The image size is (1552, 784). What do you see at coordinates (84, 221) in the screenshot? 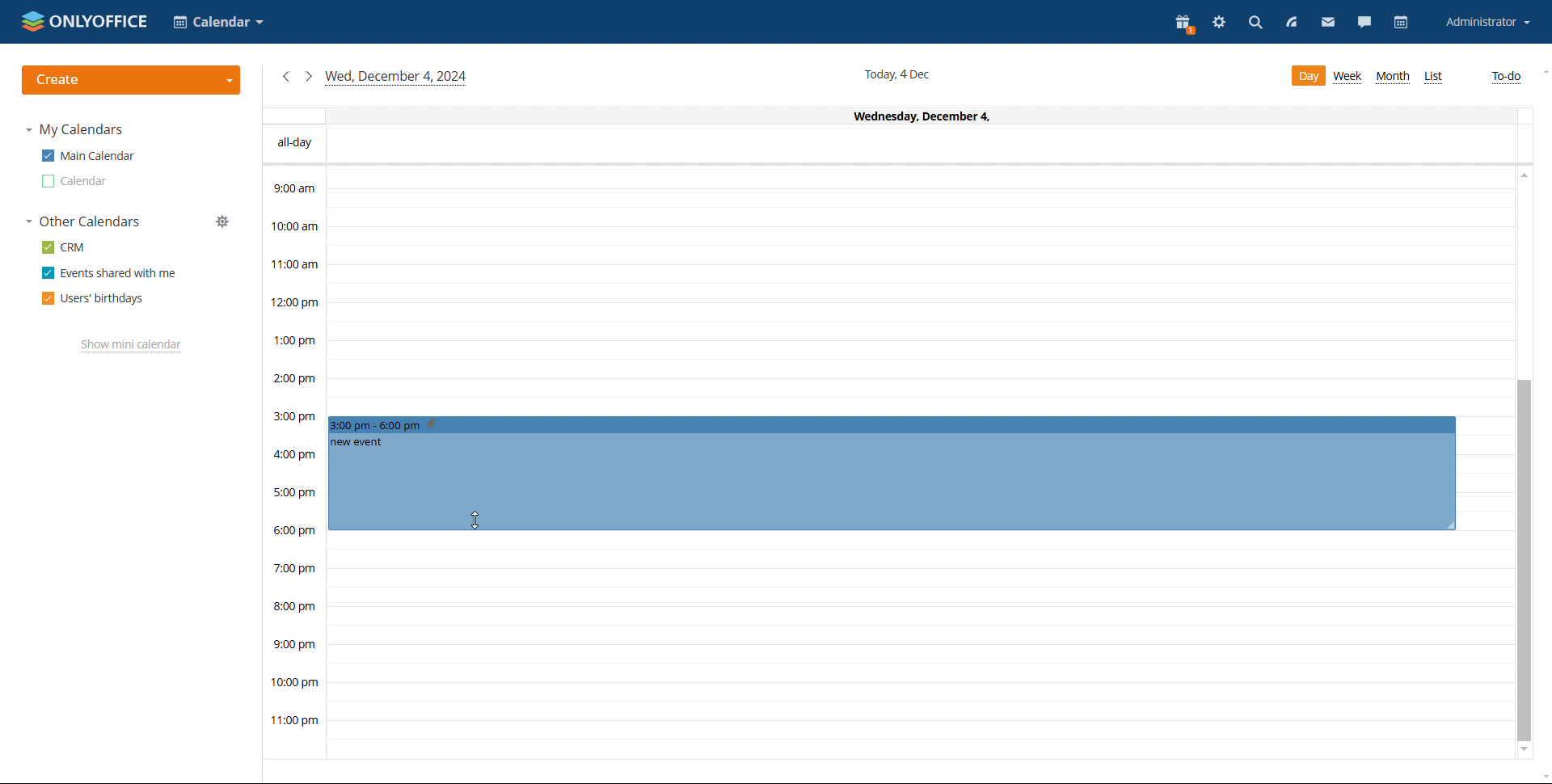
I see `calendars` at bounding box center [84, 221].